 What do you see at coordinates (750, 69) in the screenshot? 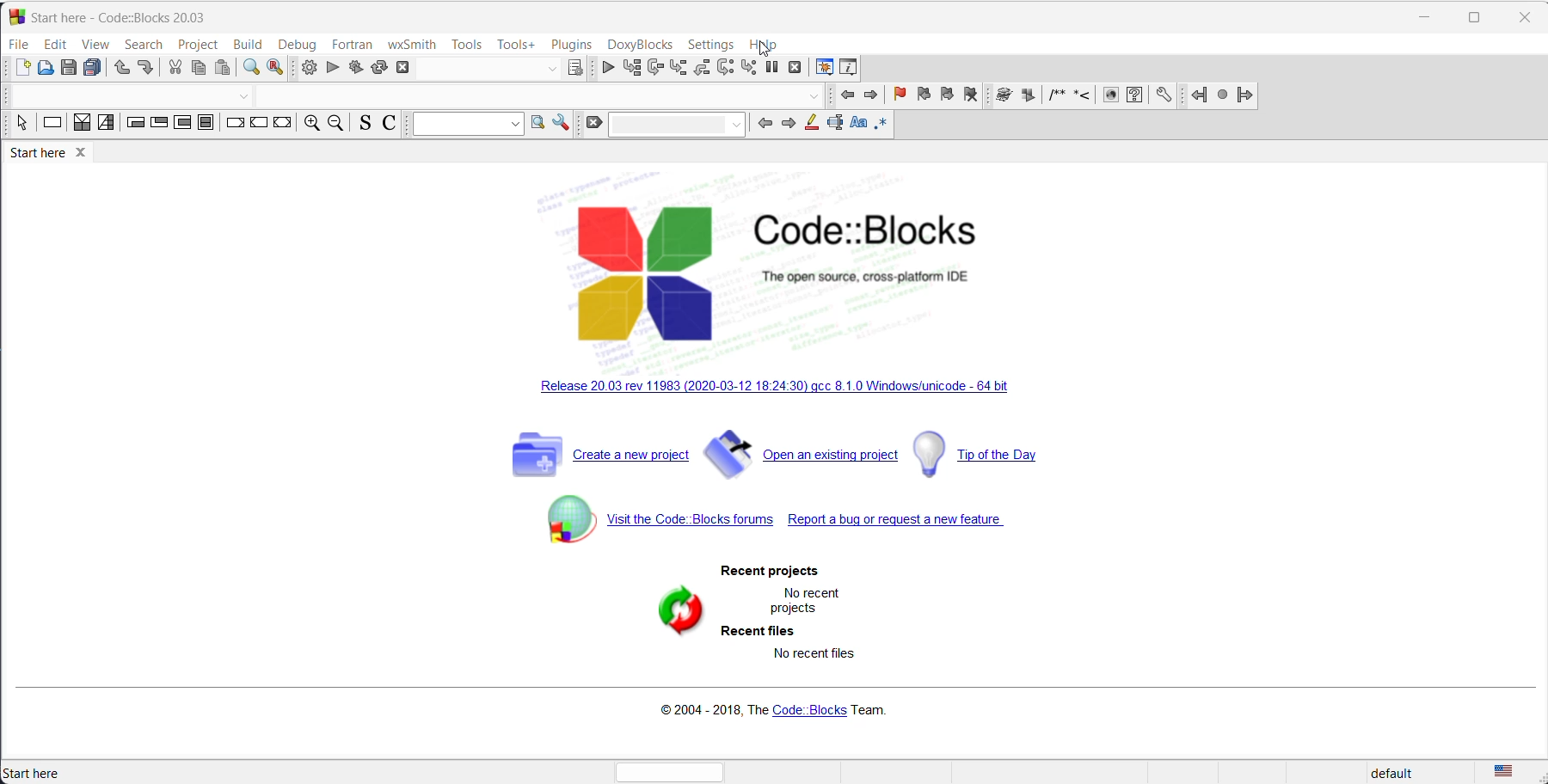
I see `step into instruction` at bounding box center [750, 69].